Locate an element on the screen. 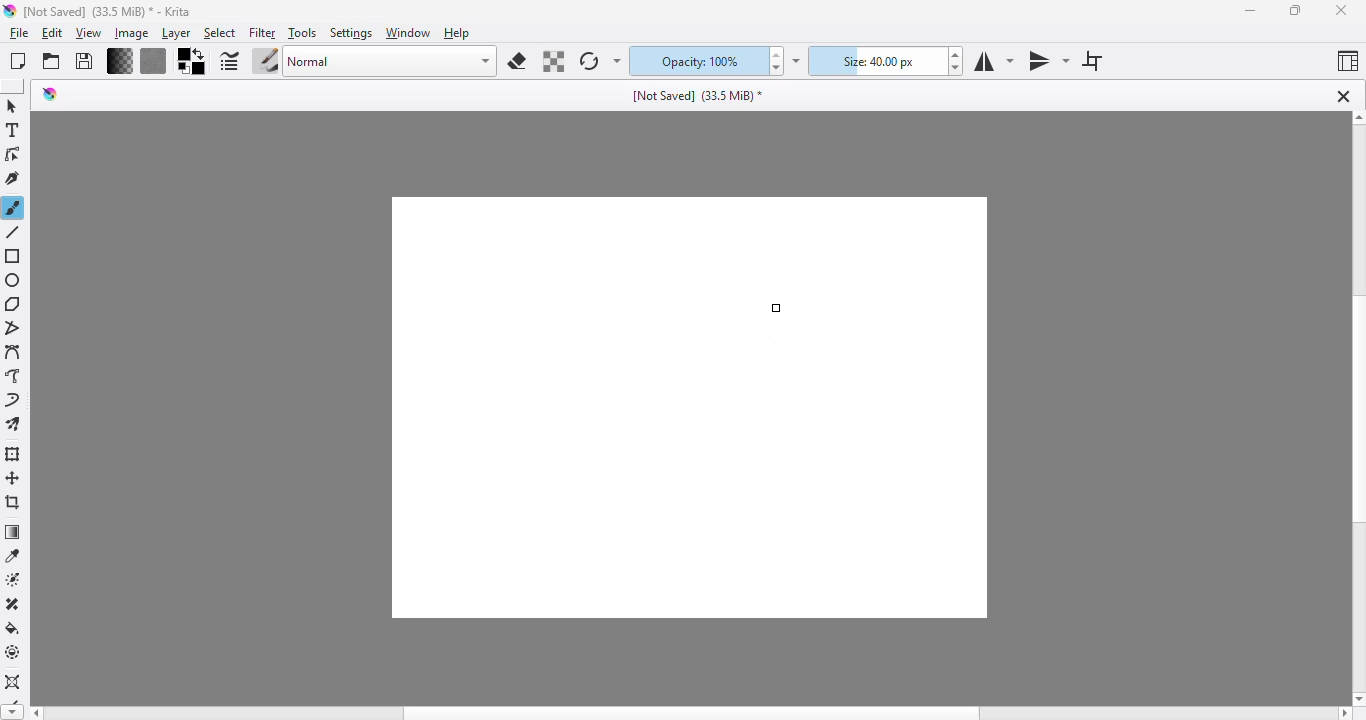  set eraser mode is located at coordinates (517, 61).